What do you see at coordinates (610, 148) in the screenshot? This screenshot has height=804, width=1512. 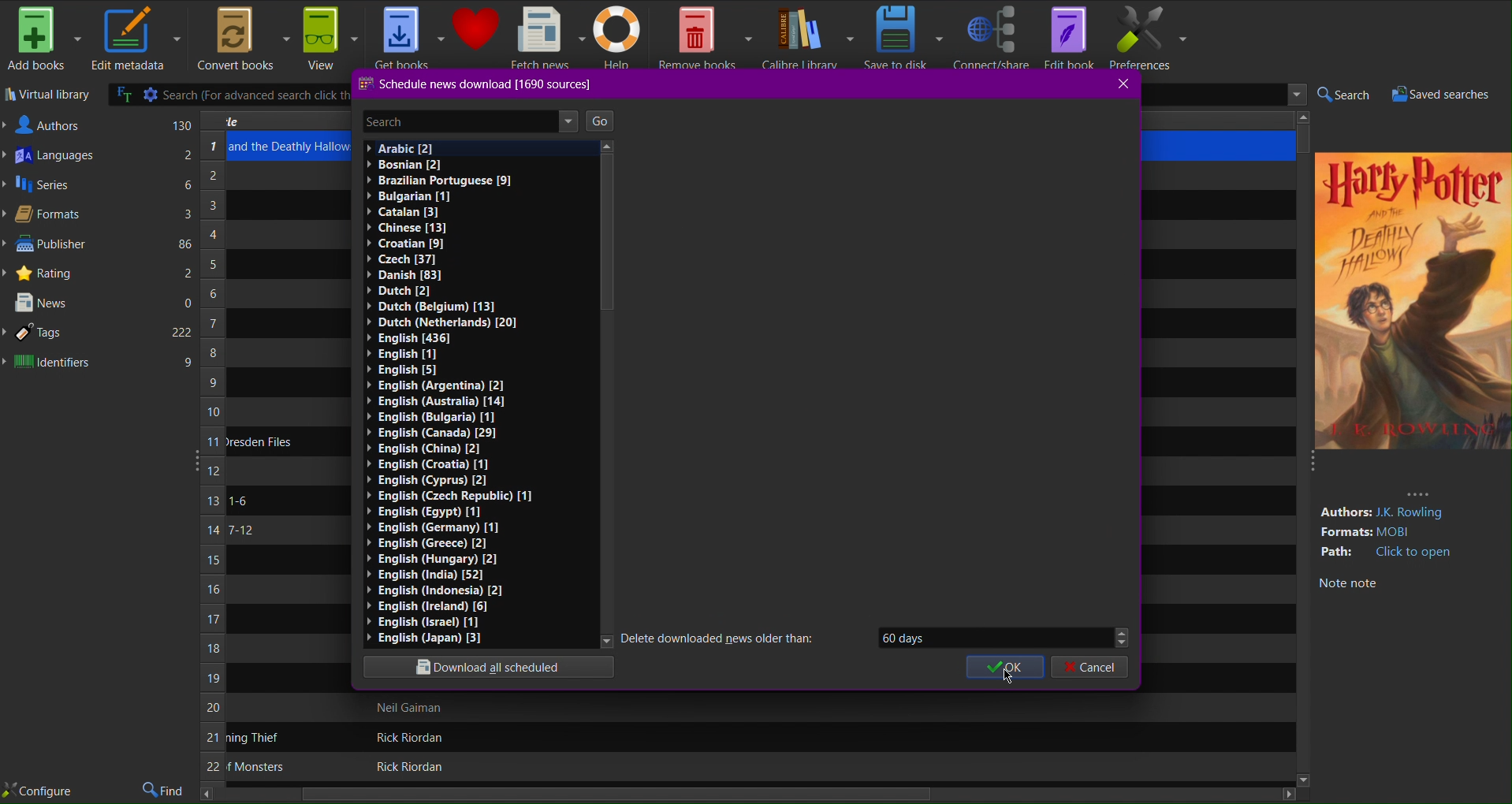 I see `up` at bounding box center [610, 148].